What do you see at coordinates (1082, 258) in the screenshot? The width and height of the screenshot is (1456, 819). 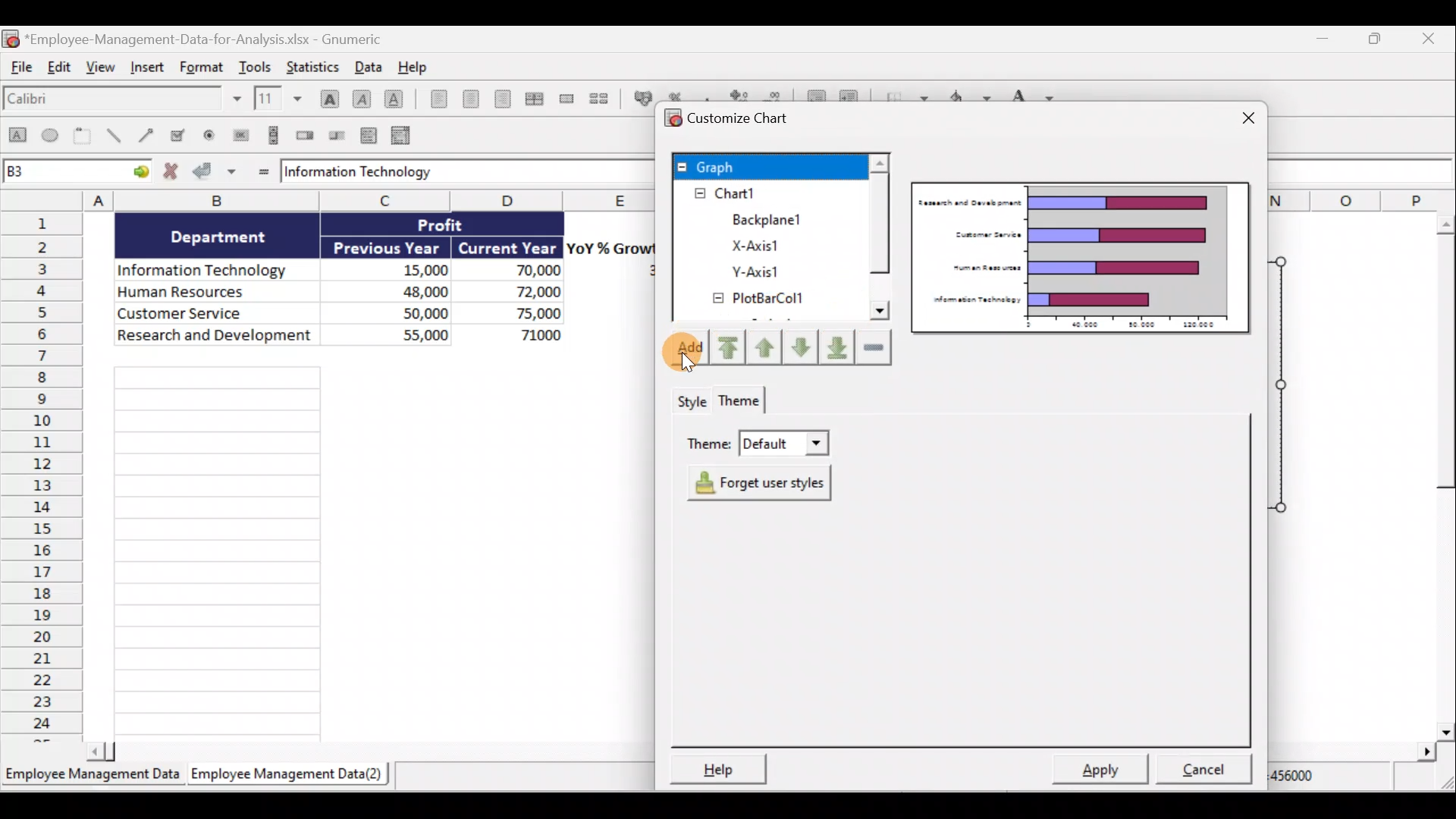 I see `Preview` at bounding box center [1082, 258].